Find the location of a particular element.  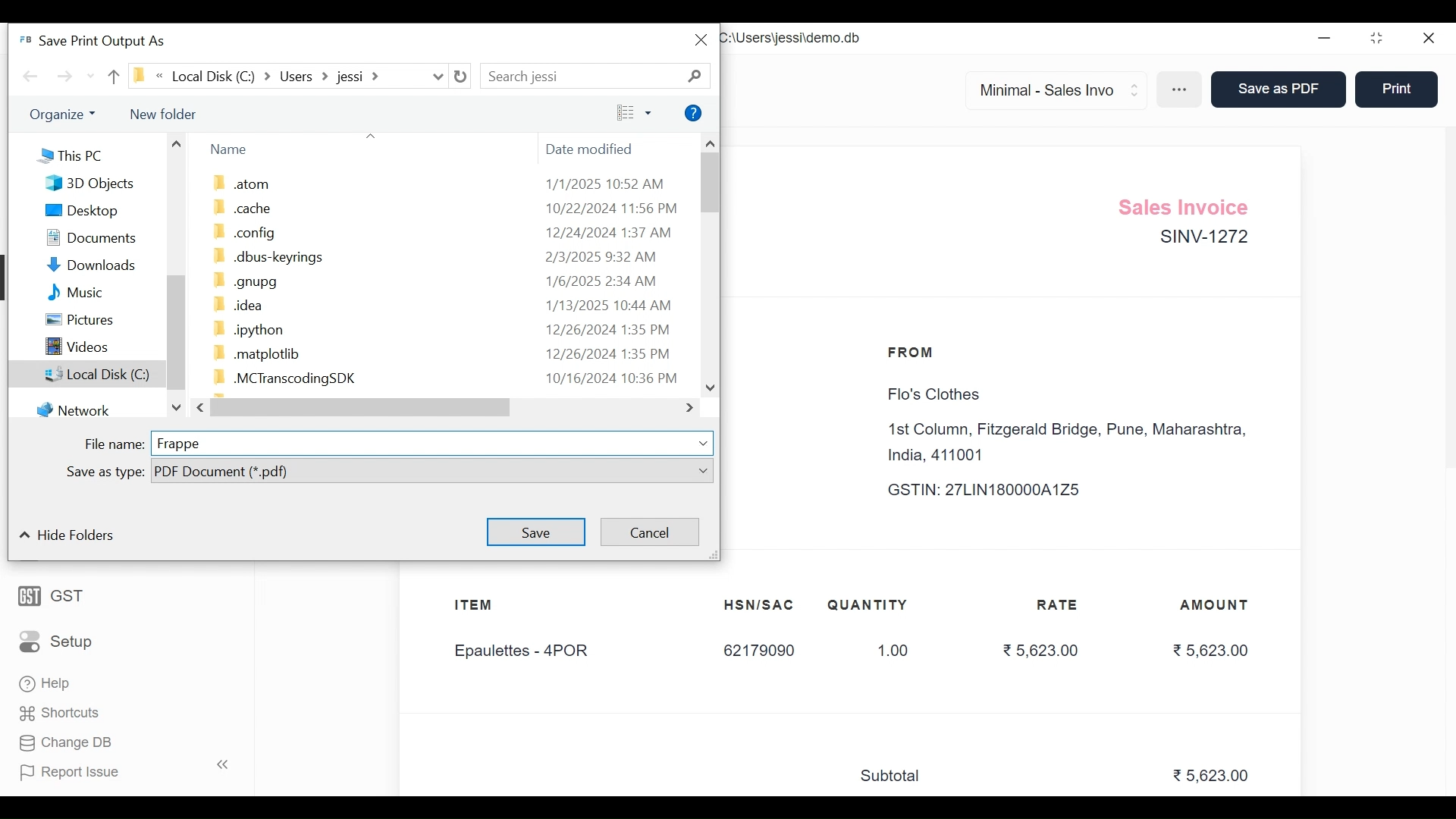

Documents is located at coordinates (82, 236).